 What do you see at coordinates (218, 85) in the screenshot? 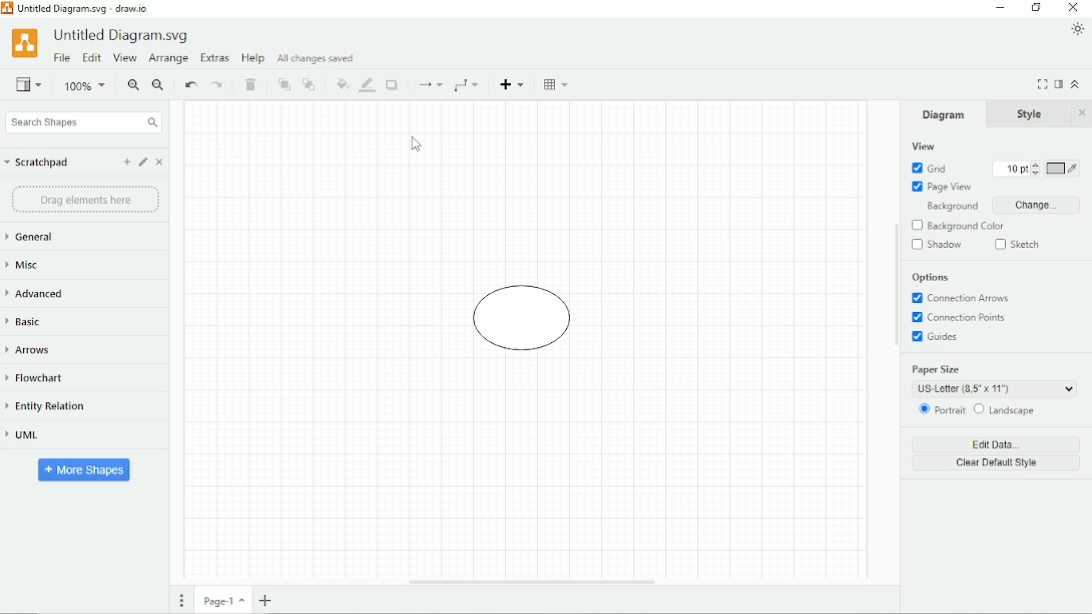
I see `Redo` at bounding box center [218, 85].